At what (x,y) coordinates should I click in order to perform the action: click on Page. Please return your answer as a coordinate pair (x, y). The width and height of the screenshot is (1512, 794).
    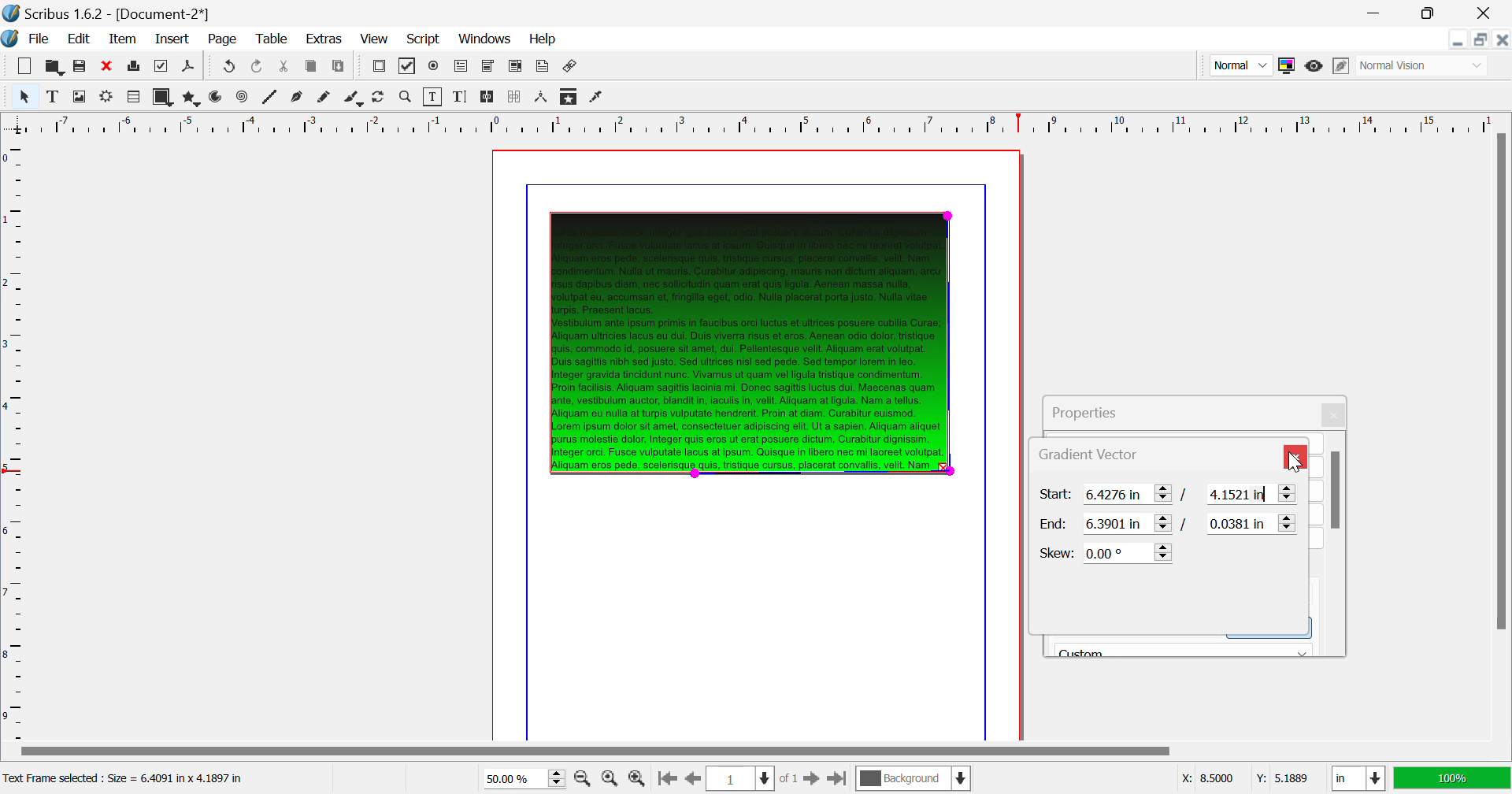
    Looking at the image, I should click on (221, 40).